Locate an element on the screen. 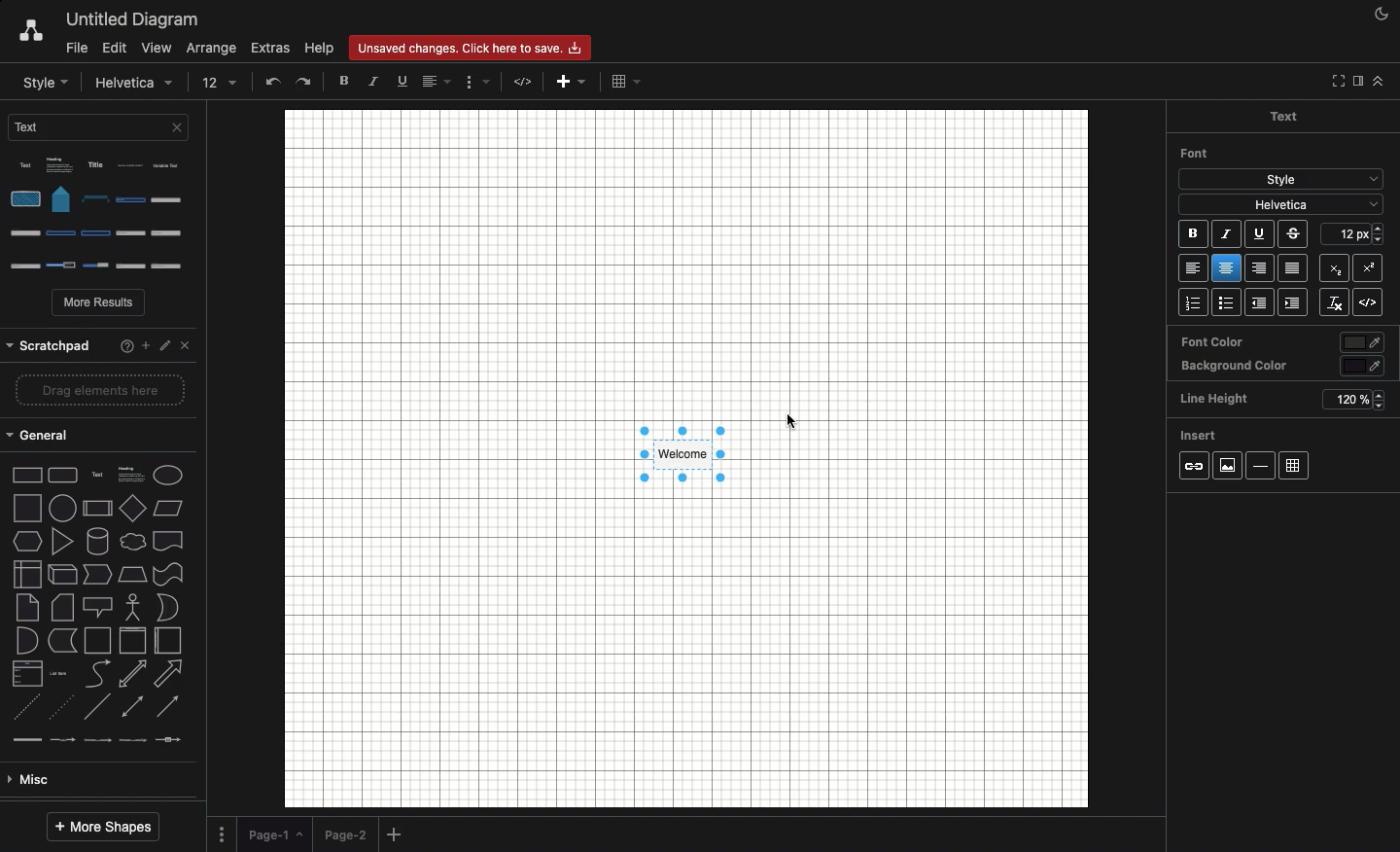  Night  is located at coordinates (1382, 13).